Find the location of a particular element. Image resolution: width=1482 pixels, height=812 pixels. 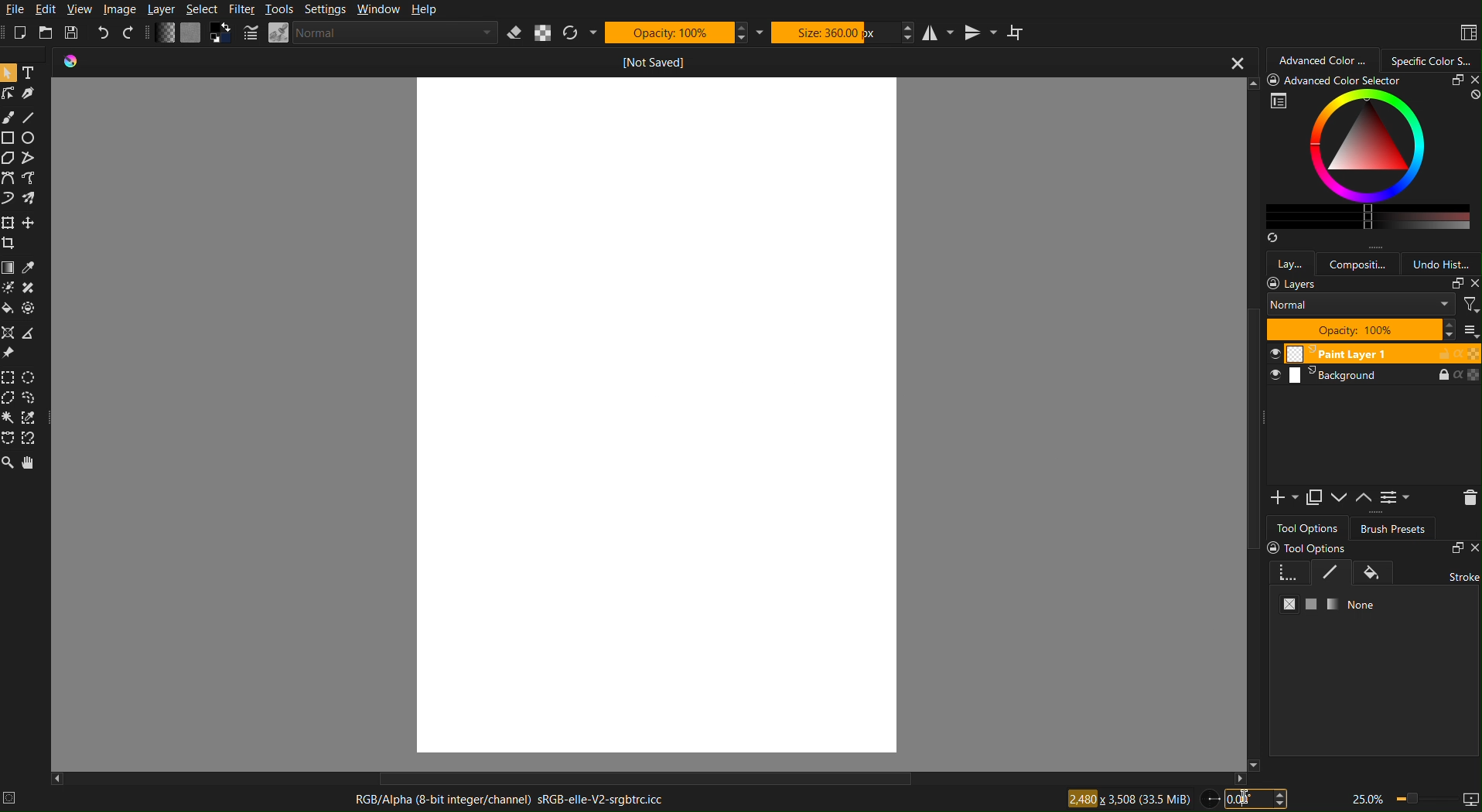

New Project is located at coordinates (19, 32).